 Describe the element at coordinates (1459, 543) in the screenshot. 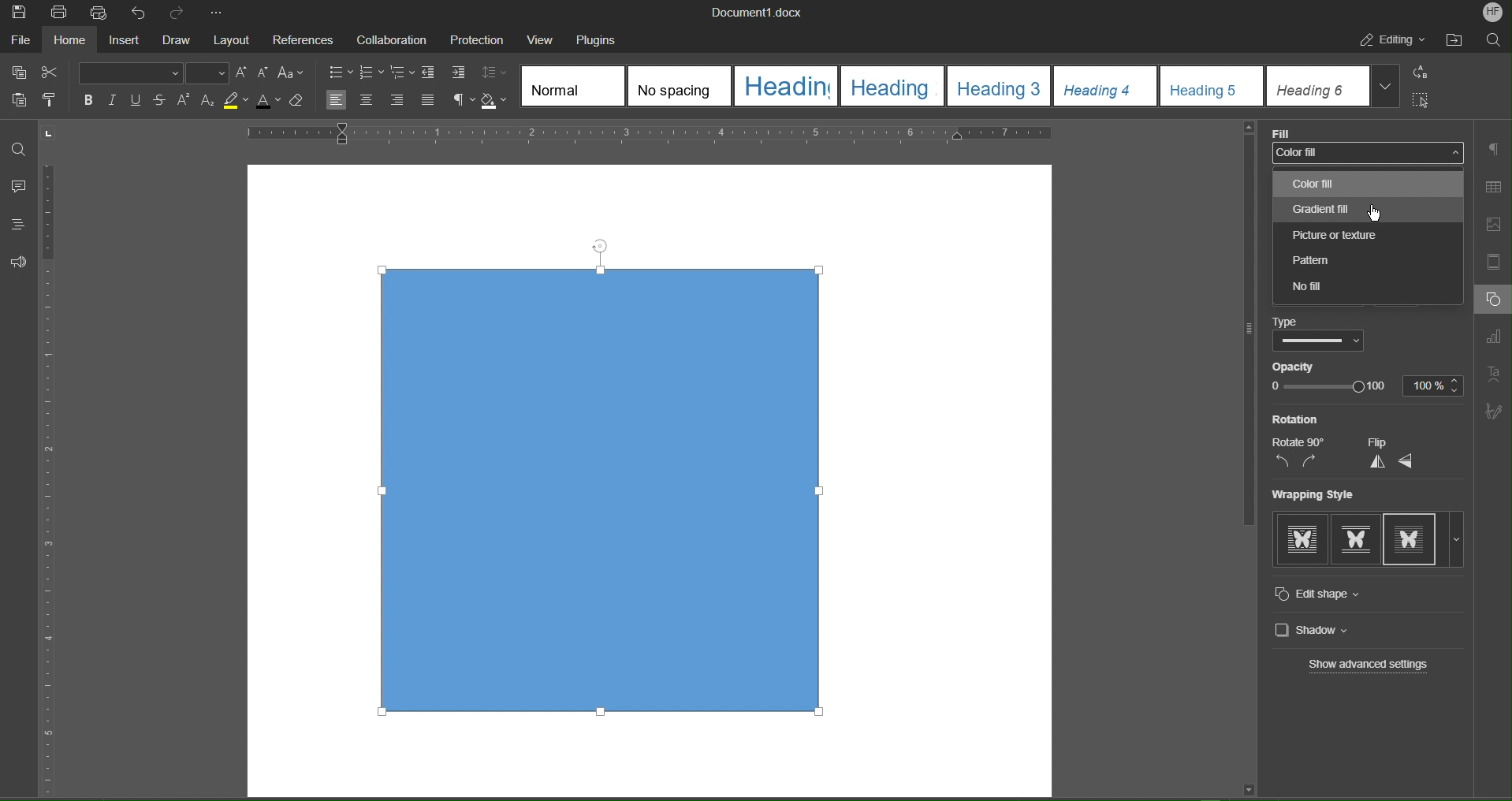

I see `More options` at that location.